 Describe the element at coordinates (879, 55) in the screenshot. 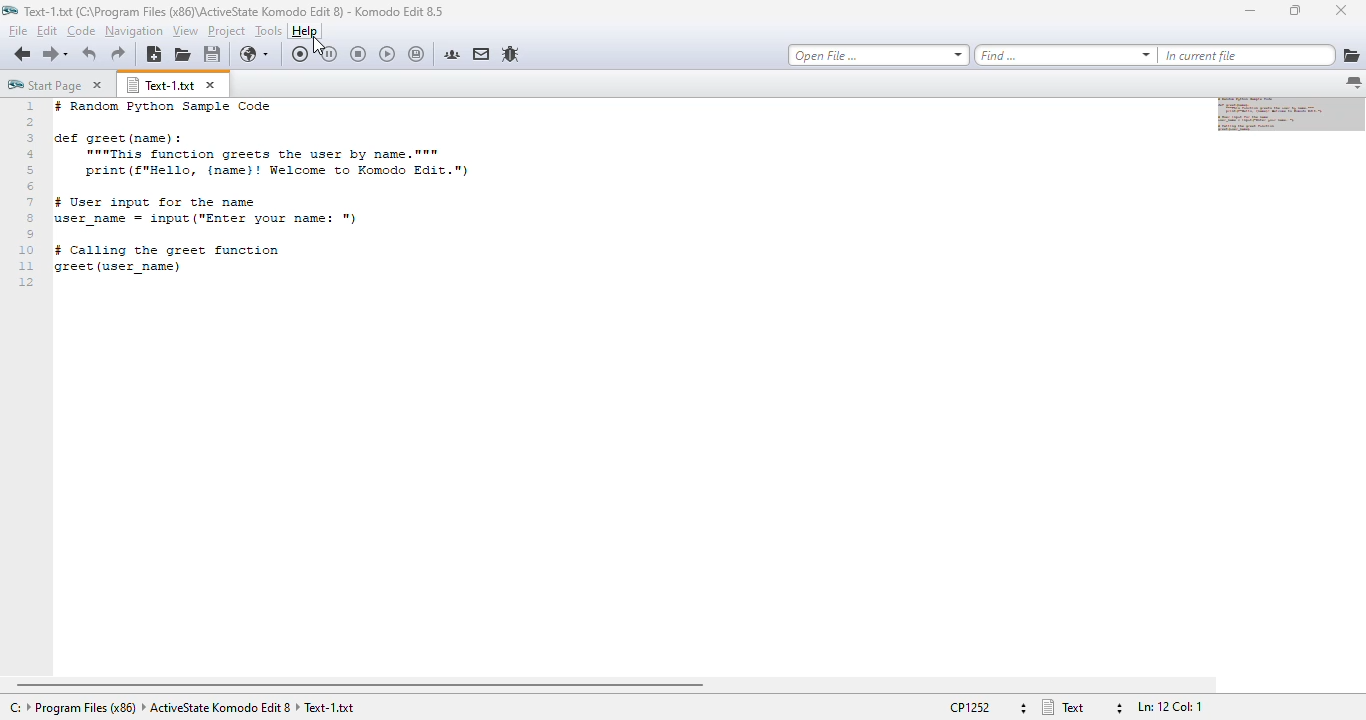

I see `open file` at that location.